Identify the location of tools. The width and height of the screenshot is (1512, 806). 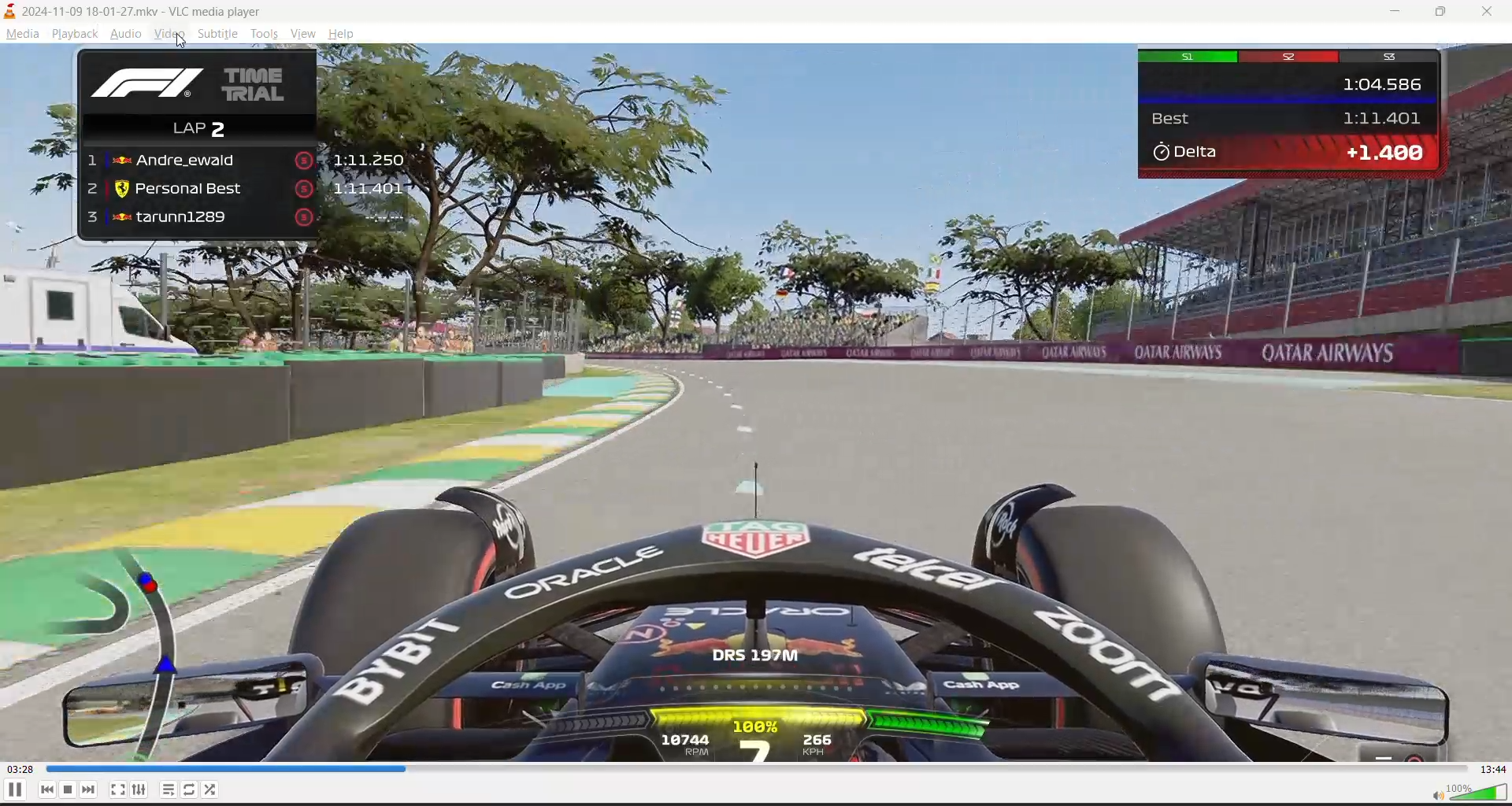
(265, 33).